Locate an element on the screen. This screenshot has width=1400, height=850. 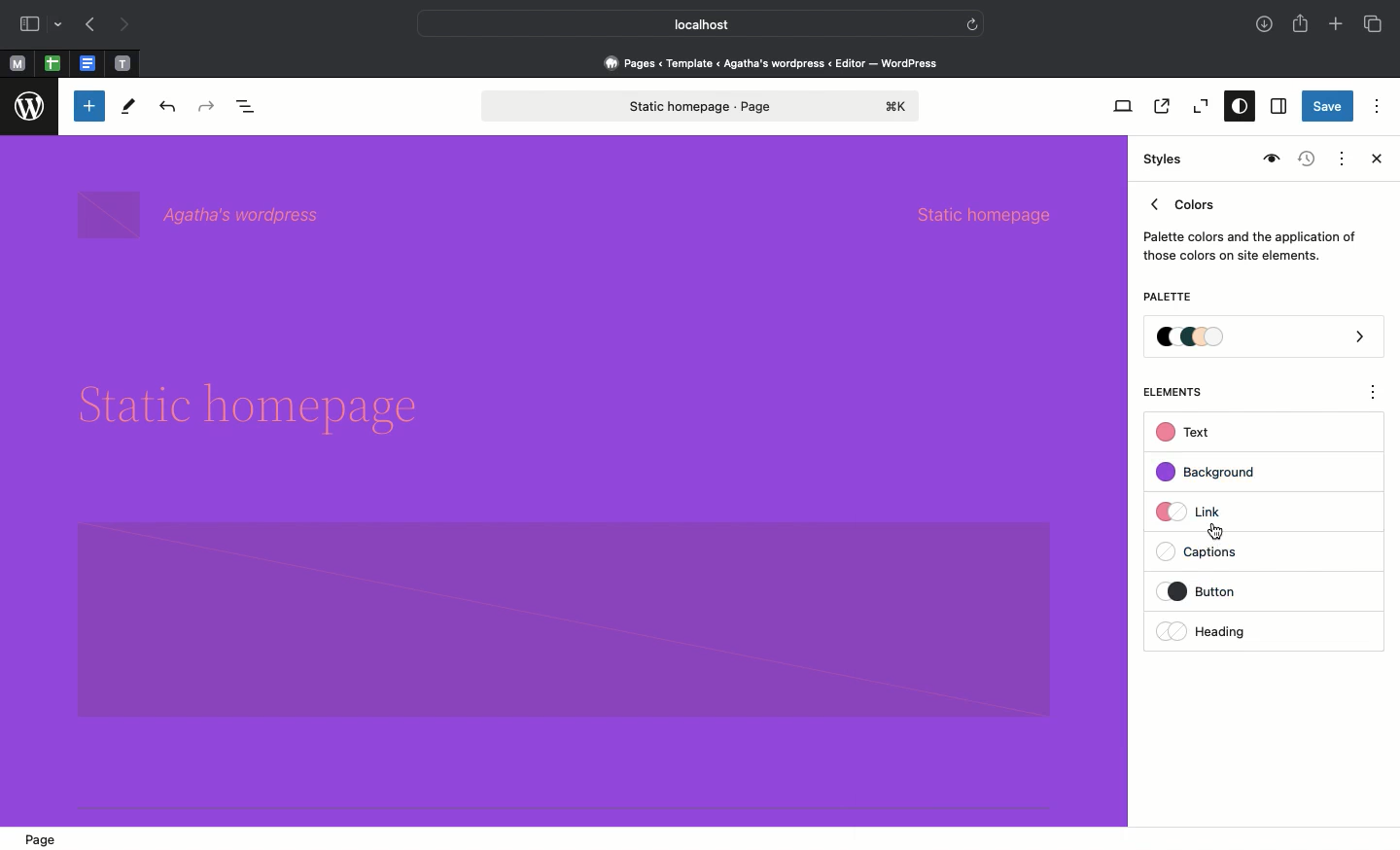
Downloads is located at coordinates (1266, 26).